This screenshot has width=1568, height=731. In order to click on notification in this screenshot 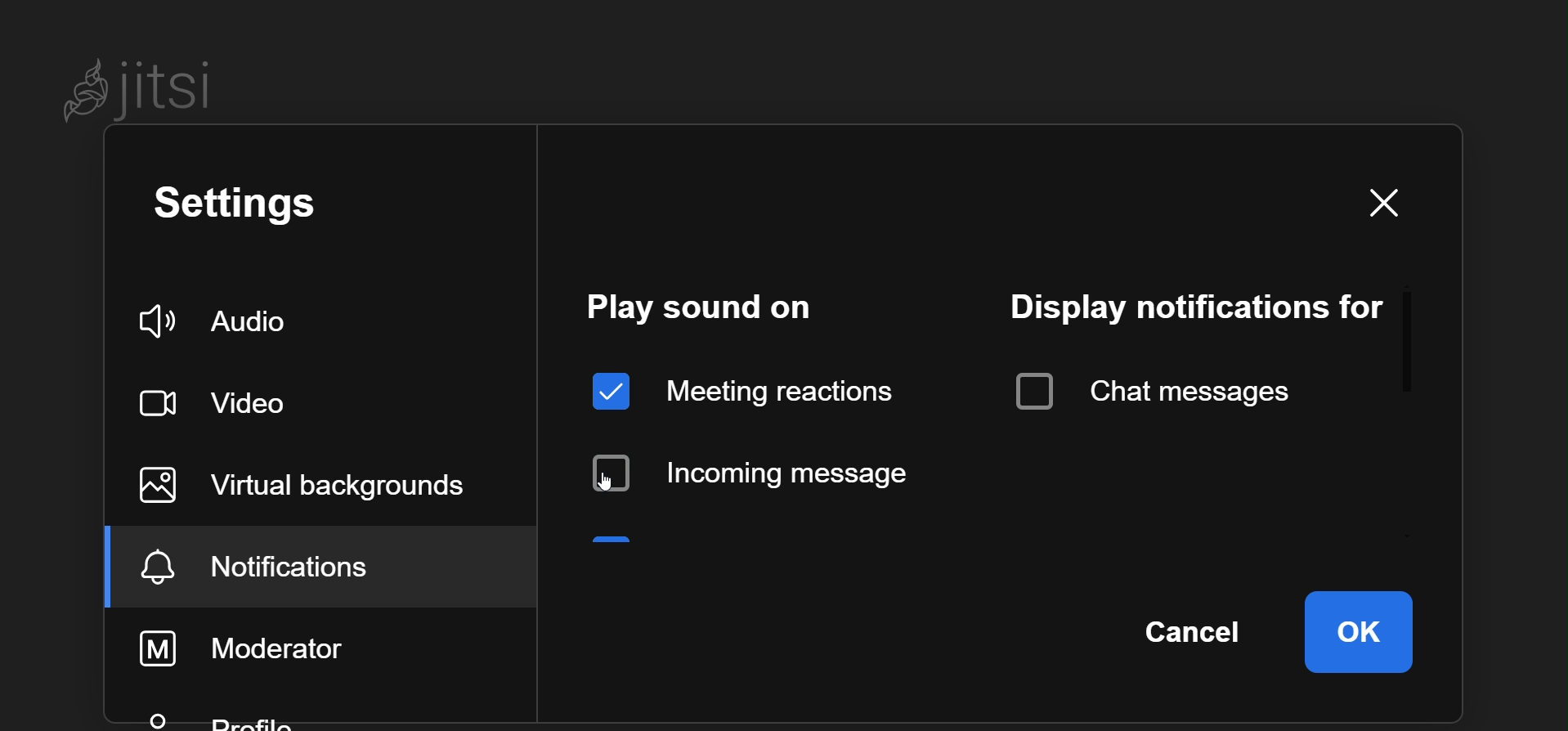, I will do `click(285, 566)`.